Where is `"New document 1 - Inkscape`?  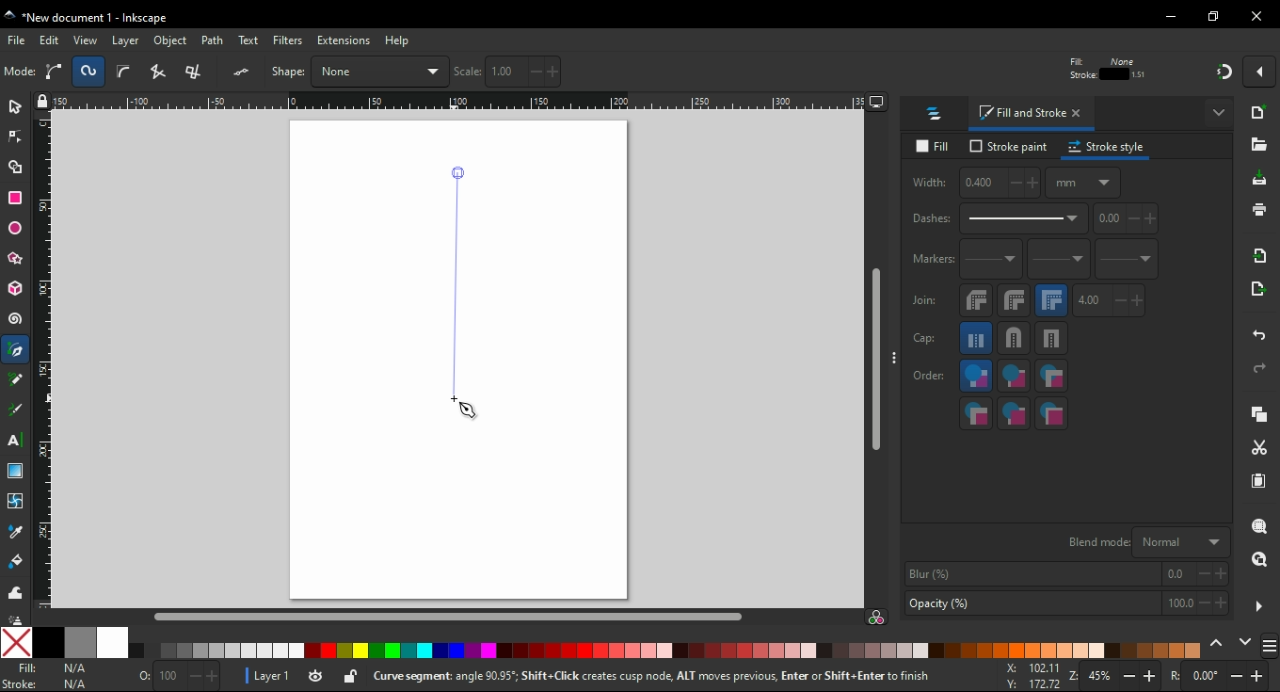
"New document 1 - Inkscape is located at coordinates (88, 19).